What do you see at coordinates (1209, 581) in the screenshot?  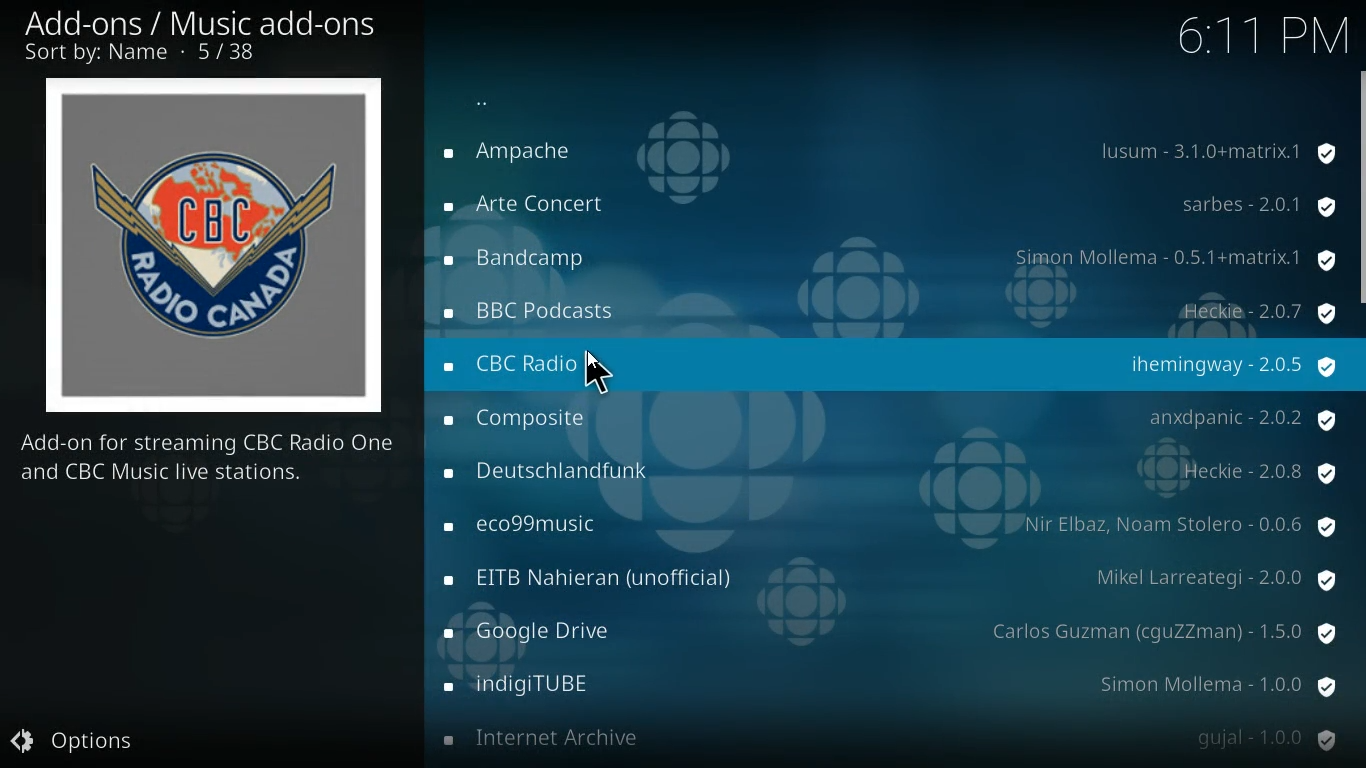 I see `protection` at bounding box center [1209, 581].